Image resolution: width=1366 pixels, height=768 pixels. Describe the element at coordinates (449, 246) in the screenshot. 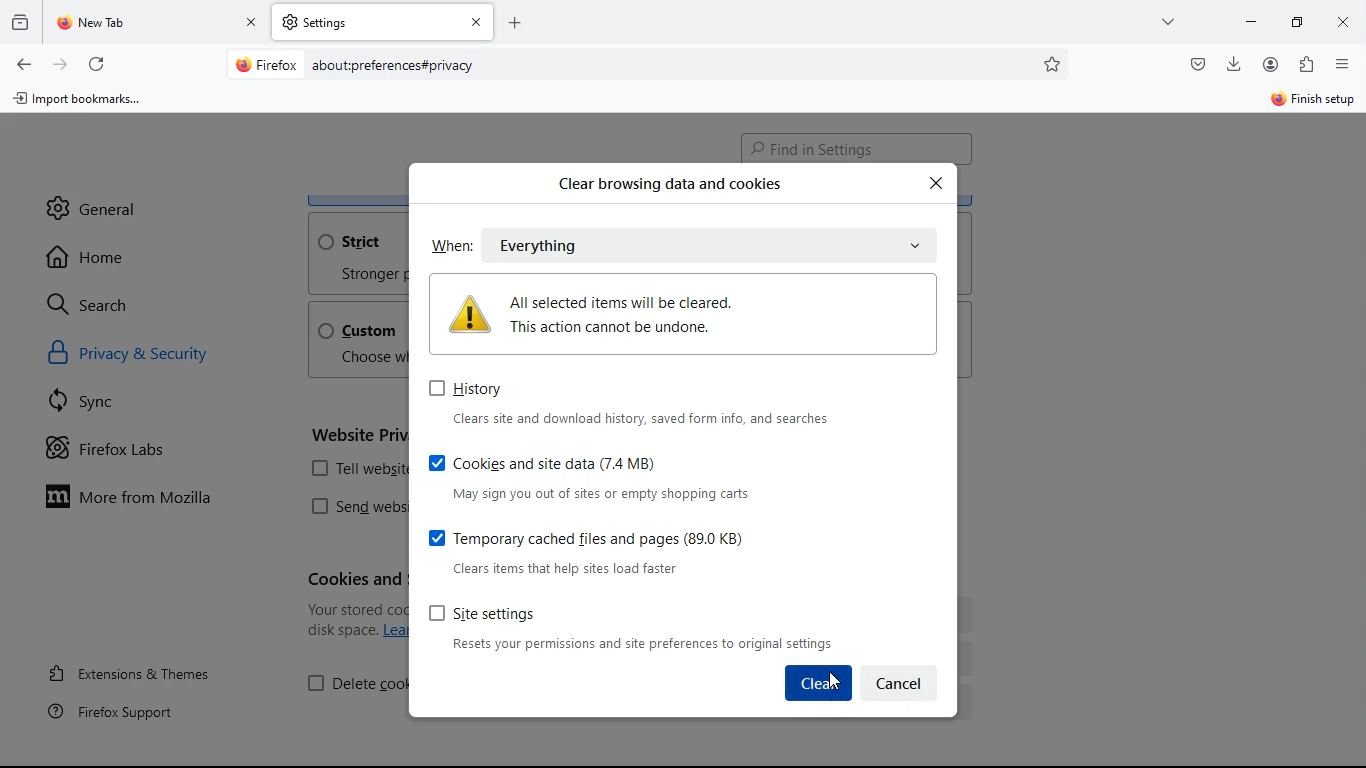

I see `‘When:` at that location.